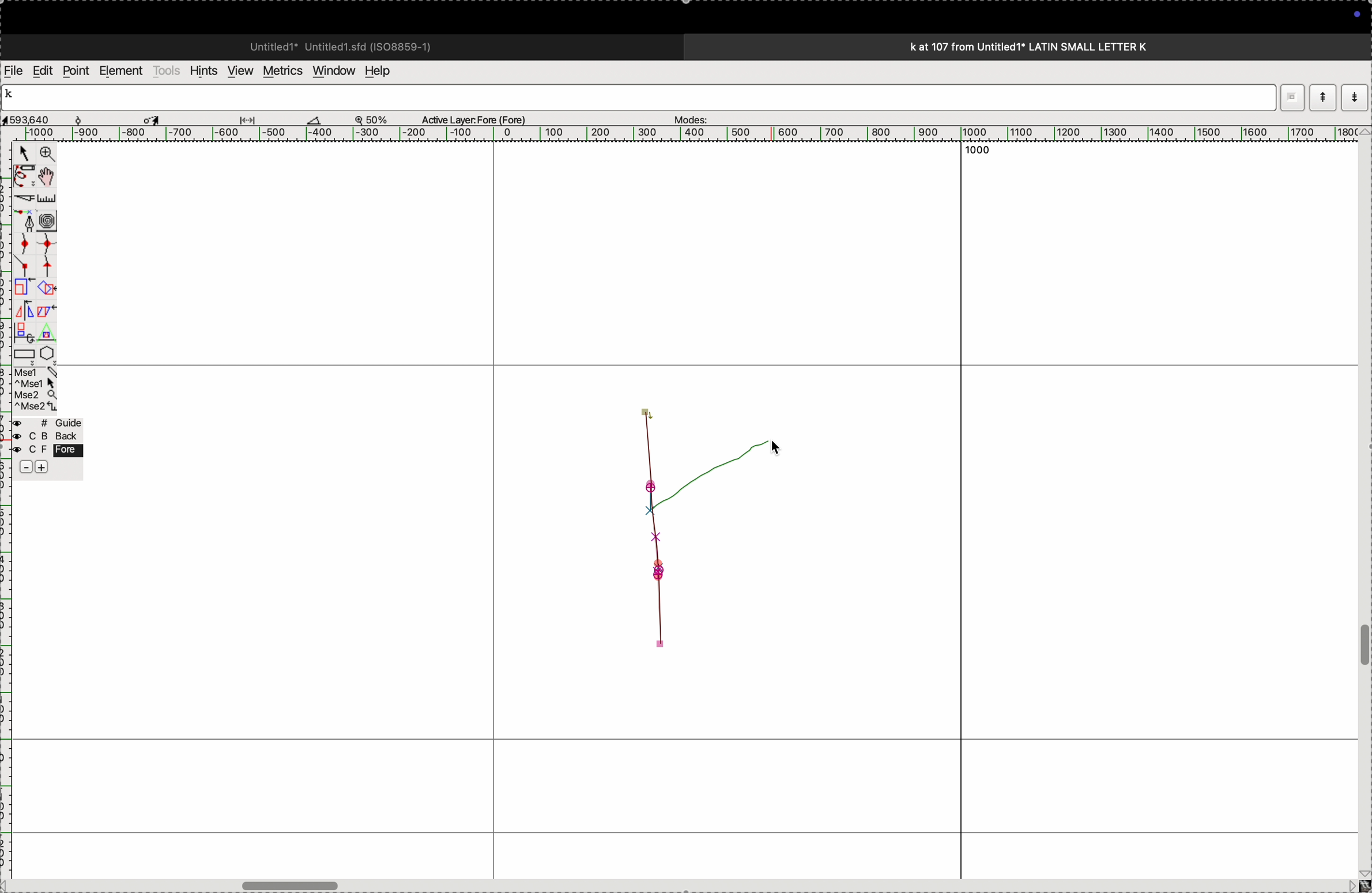  I want to click on active kayer, so click(481, 119).